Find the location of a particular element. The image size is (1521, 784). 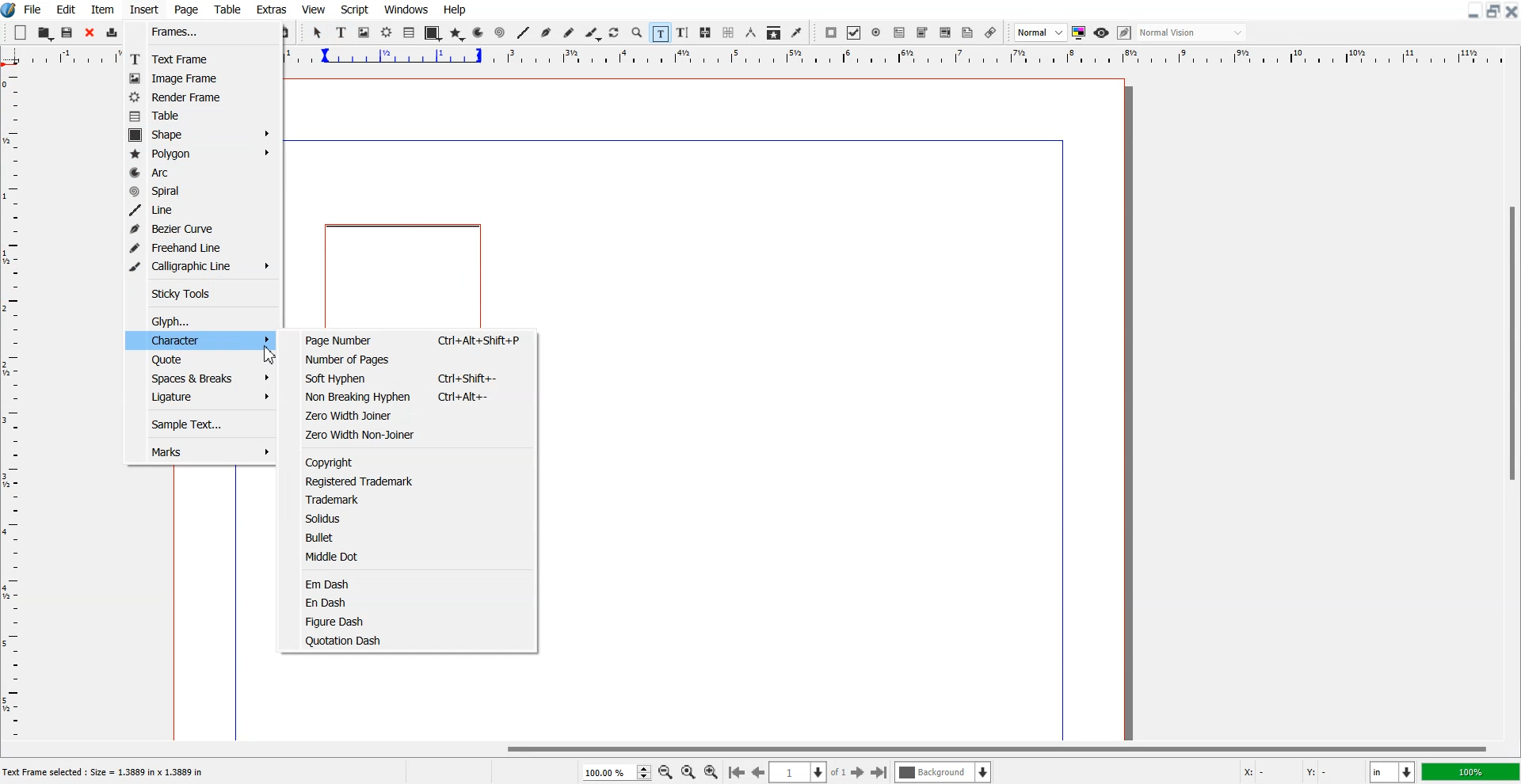

PDF Radio Button is located at coordinates (877, 32).